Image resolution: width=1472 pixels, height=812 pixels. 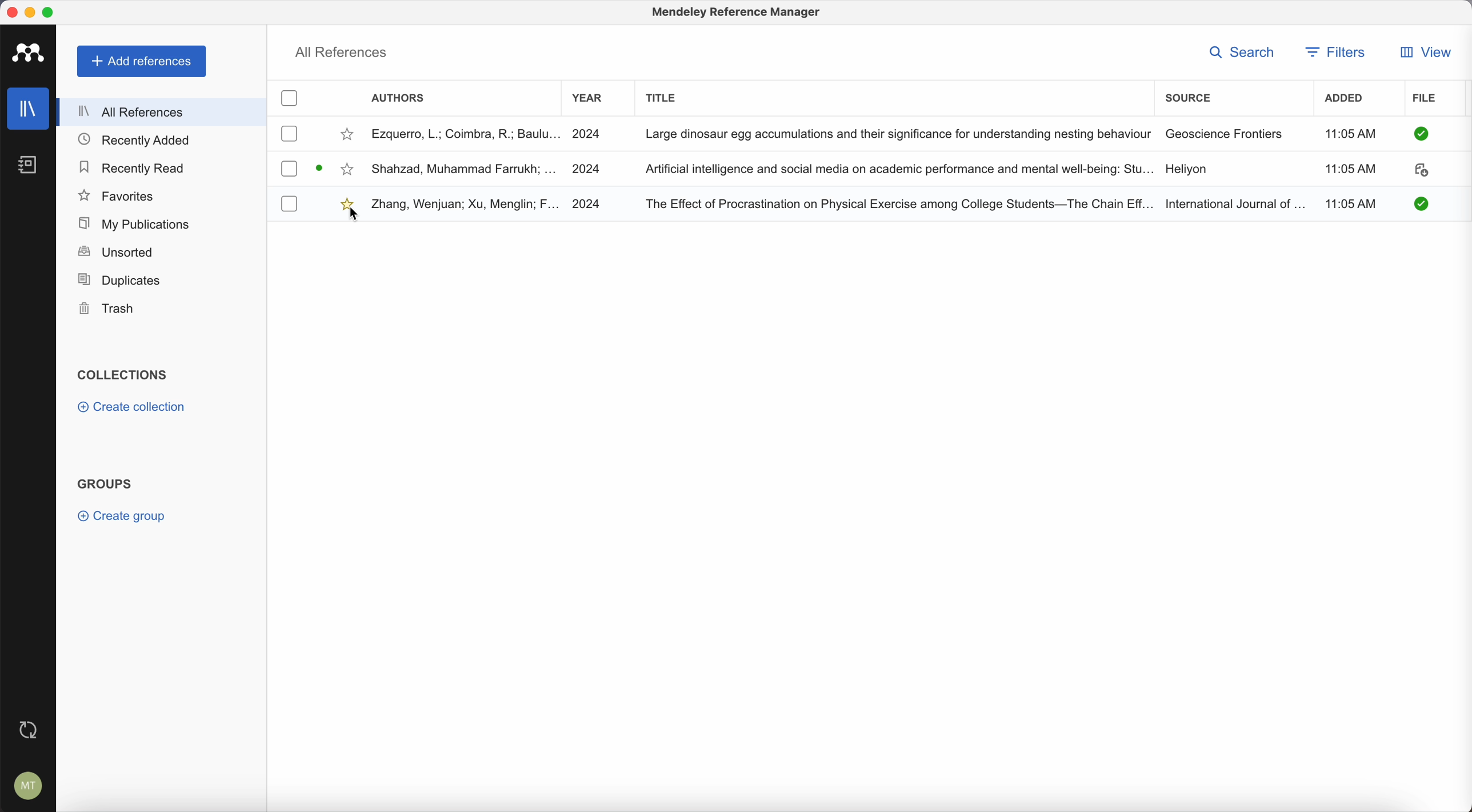 What do you see at coordinates (1186, 170) in the screenshot?
I see `Heliyon` at bounding box center [1186, 170].